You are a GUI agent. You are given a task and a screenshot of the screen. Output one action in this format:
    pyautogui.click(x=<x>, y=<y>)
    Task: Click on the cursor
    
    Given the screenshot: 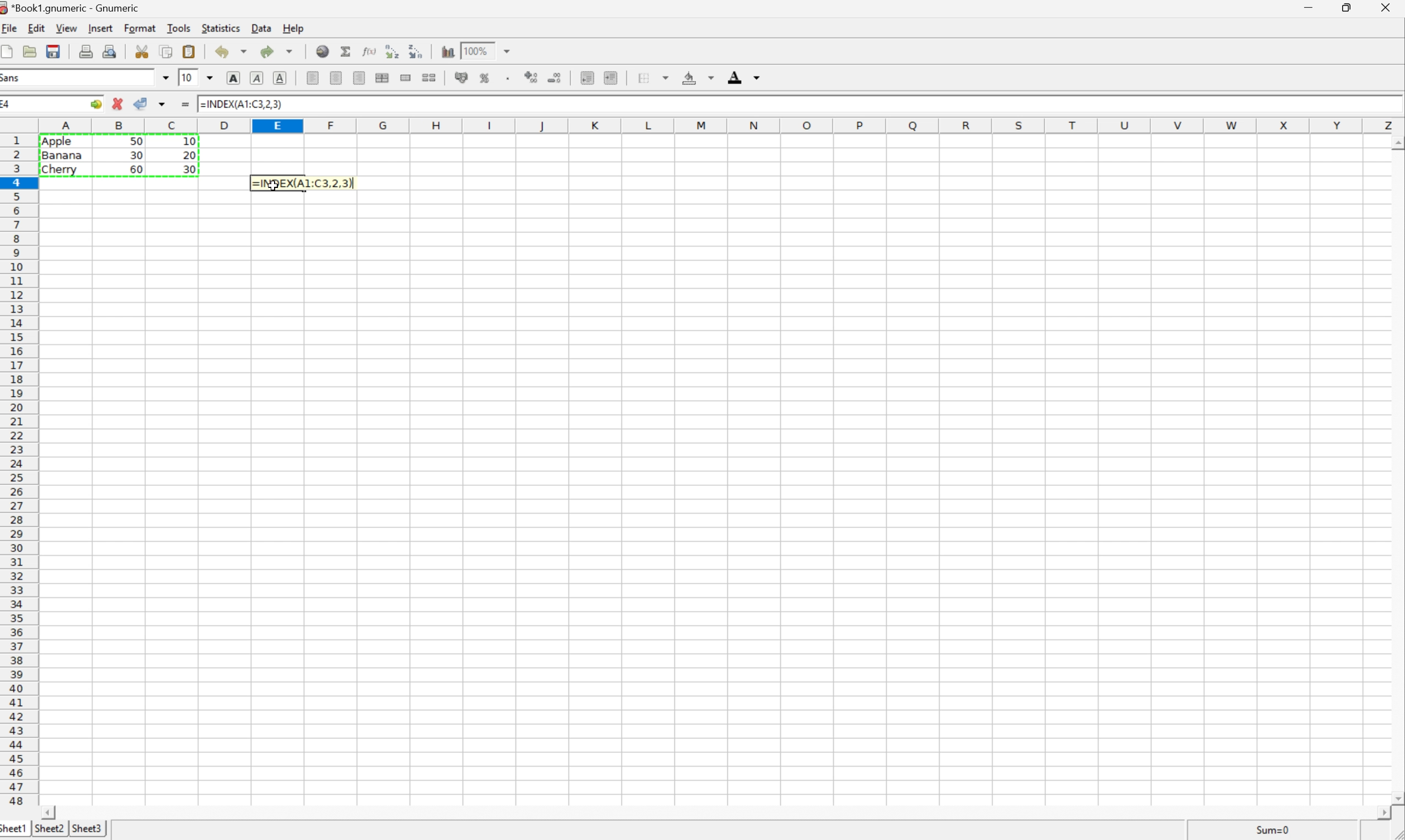 What is the action you would take?
    pyautogui.click(x=273, y=187)
    